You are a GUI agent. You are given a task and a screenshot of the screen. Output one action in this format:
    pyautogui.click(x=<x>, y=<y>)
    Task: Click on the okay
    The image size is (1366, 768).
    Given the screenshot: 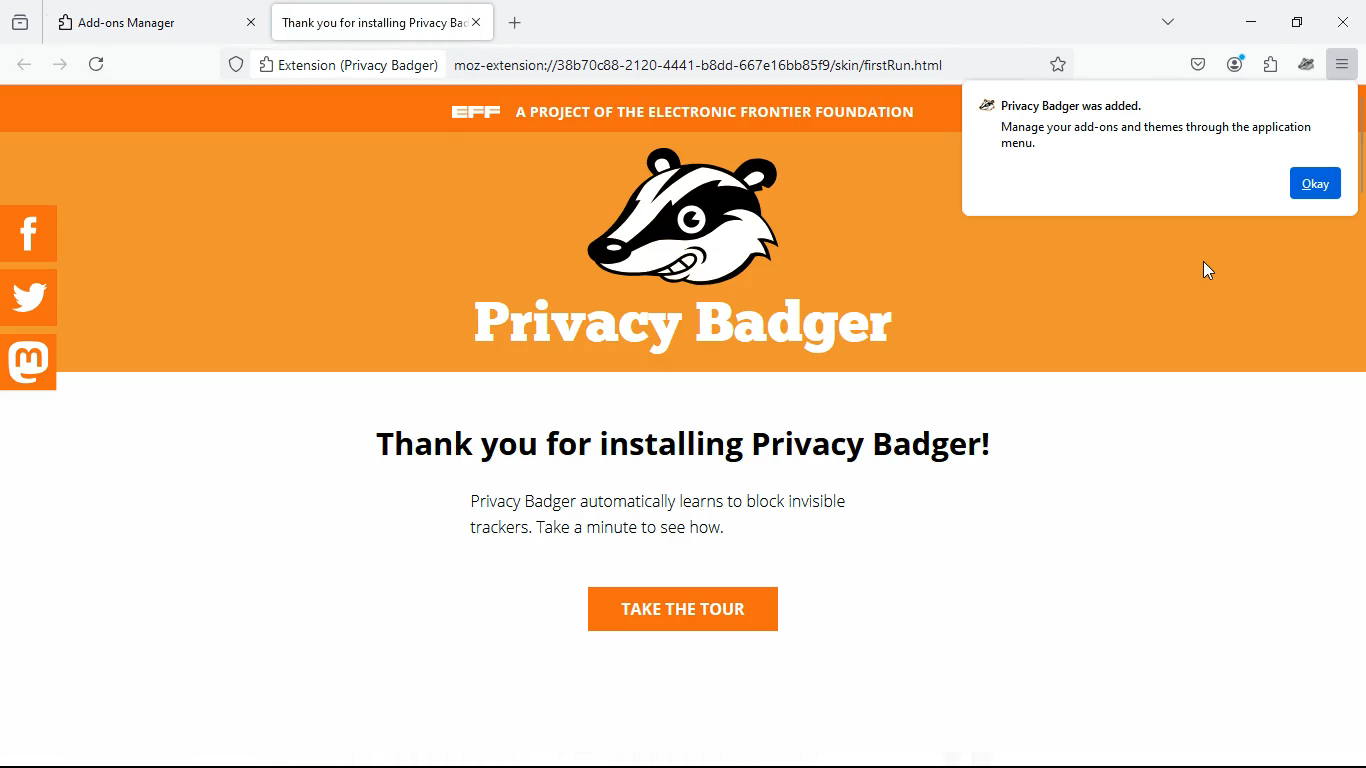 What is the action you would take?
    pyautogui.click(x=1316, y=183)
    